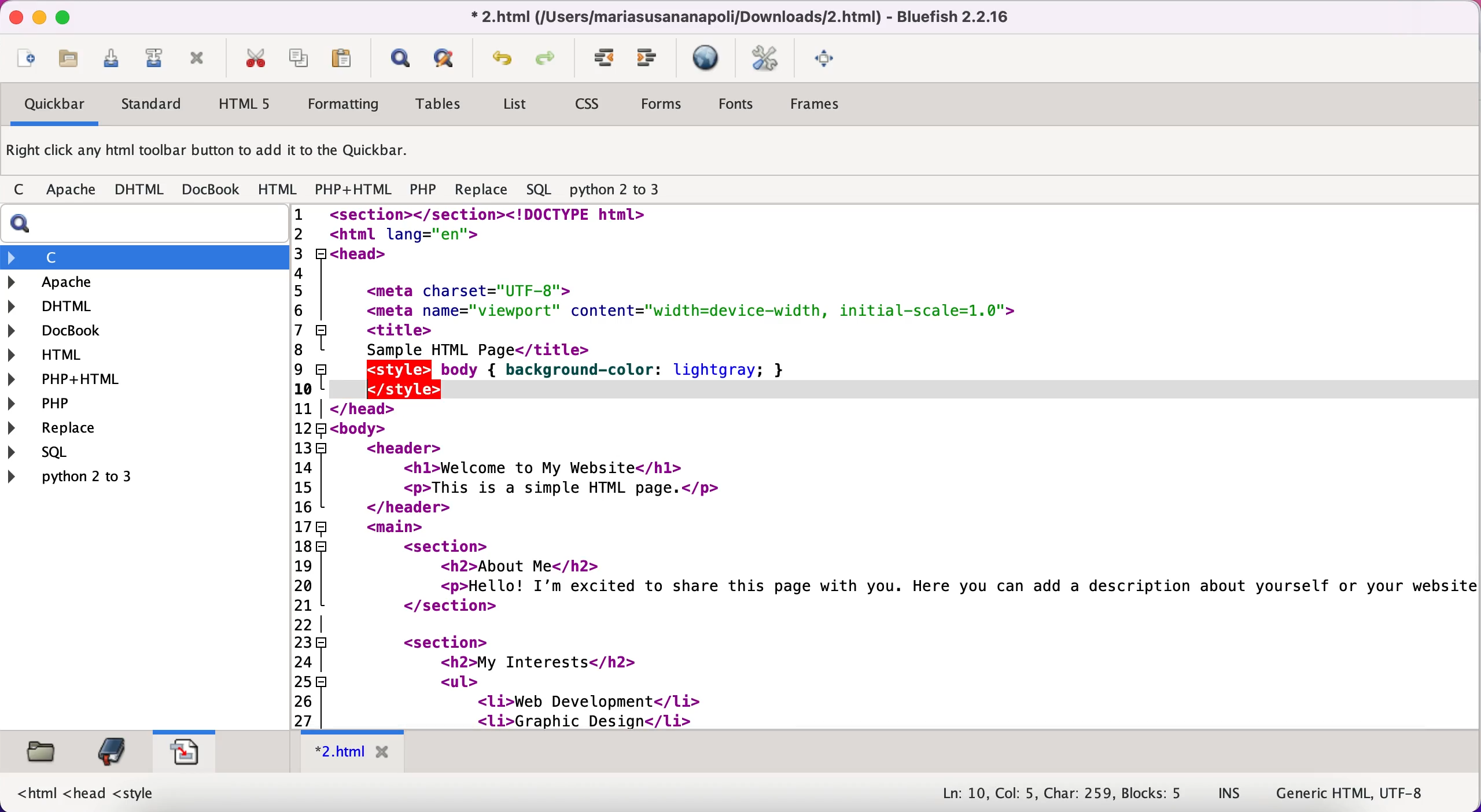 The height and width of the screenshot is (812, 1481). What do you see at coordinates (43, 752) in the screenshot?
I see `filebrowser` at bounding box center [43, 752].